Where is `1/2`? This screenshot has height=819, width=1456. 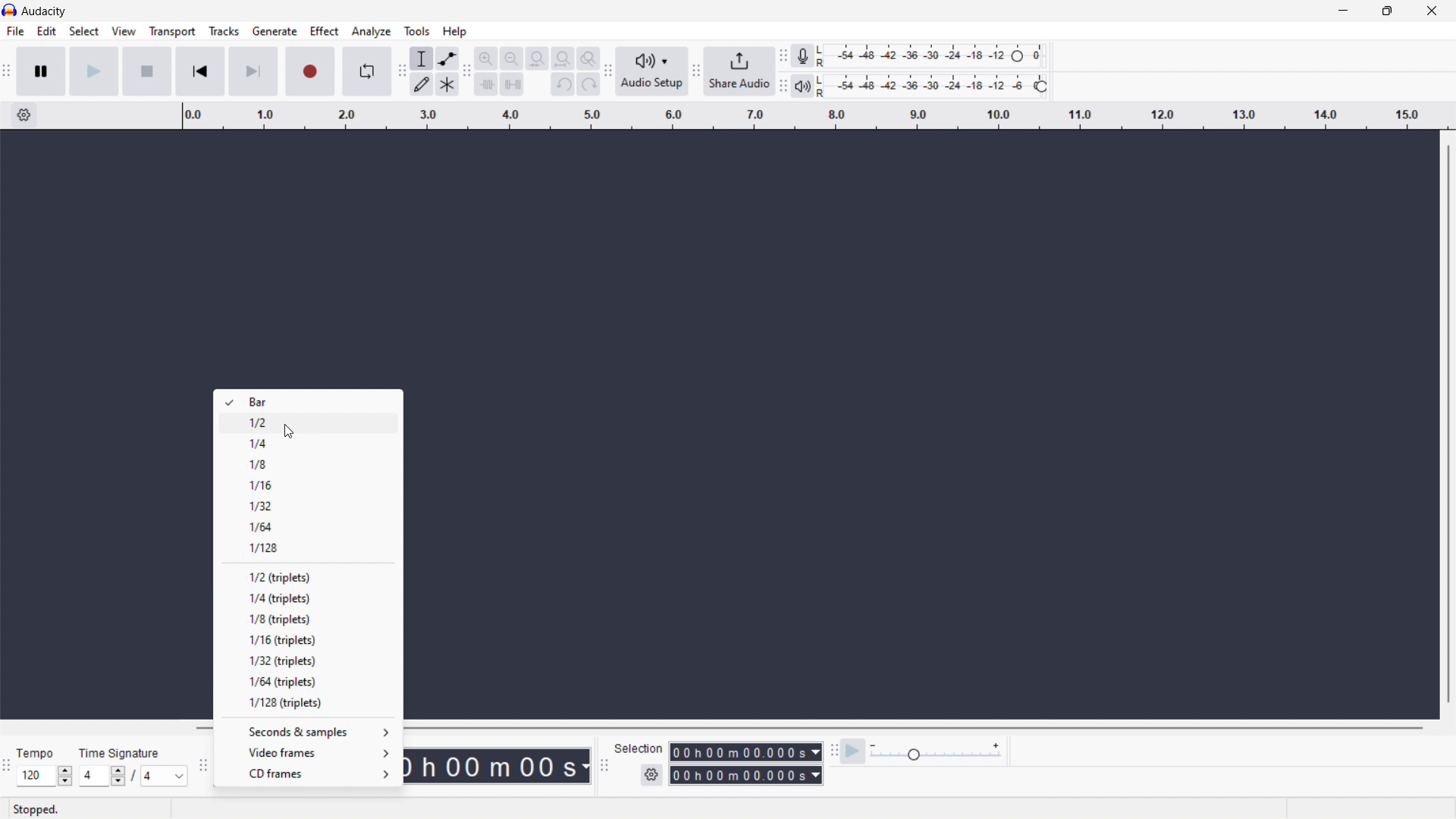
1/2 is located at coordinates (308, 422).